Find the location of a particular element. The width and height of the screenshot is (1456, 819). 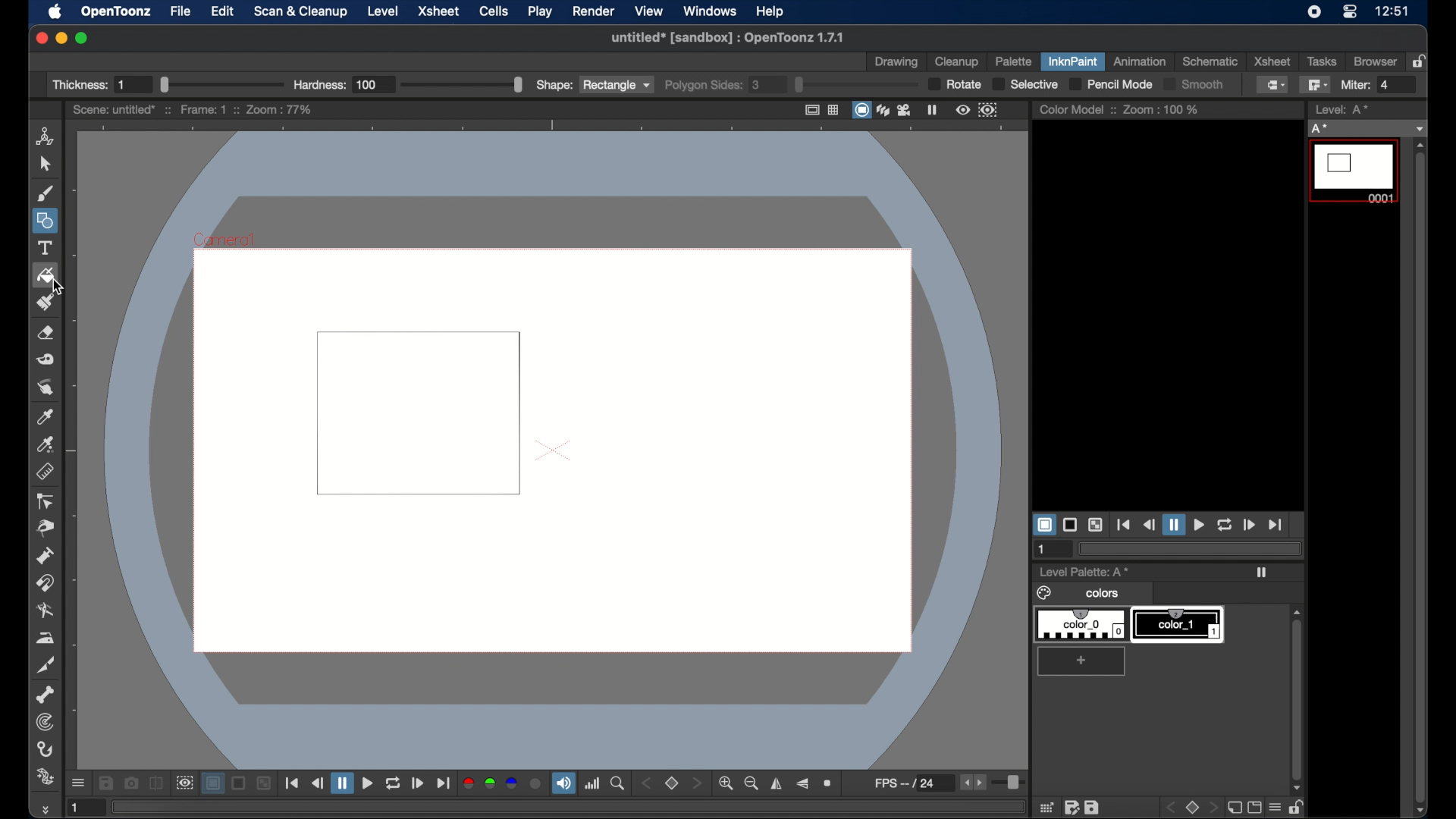

polyline fill tool is located at coordinates (1315, 84).